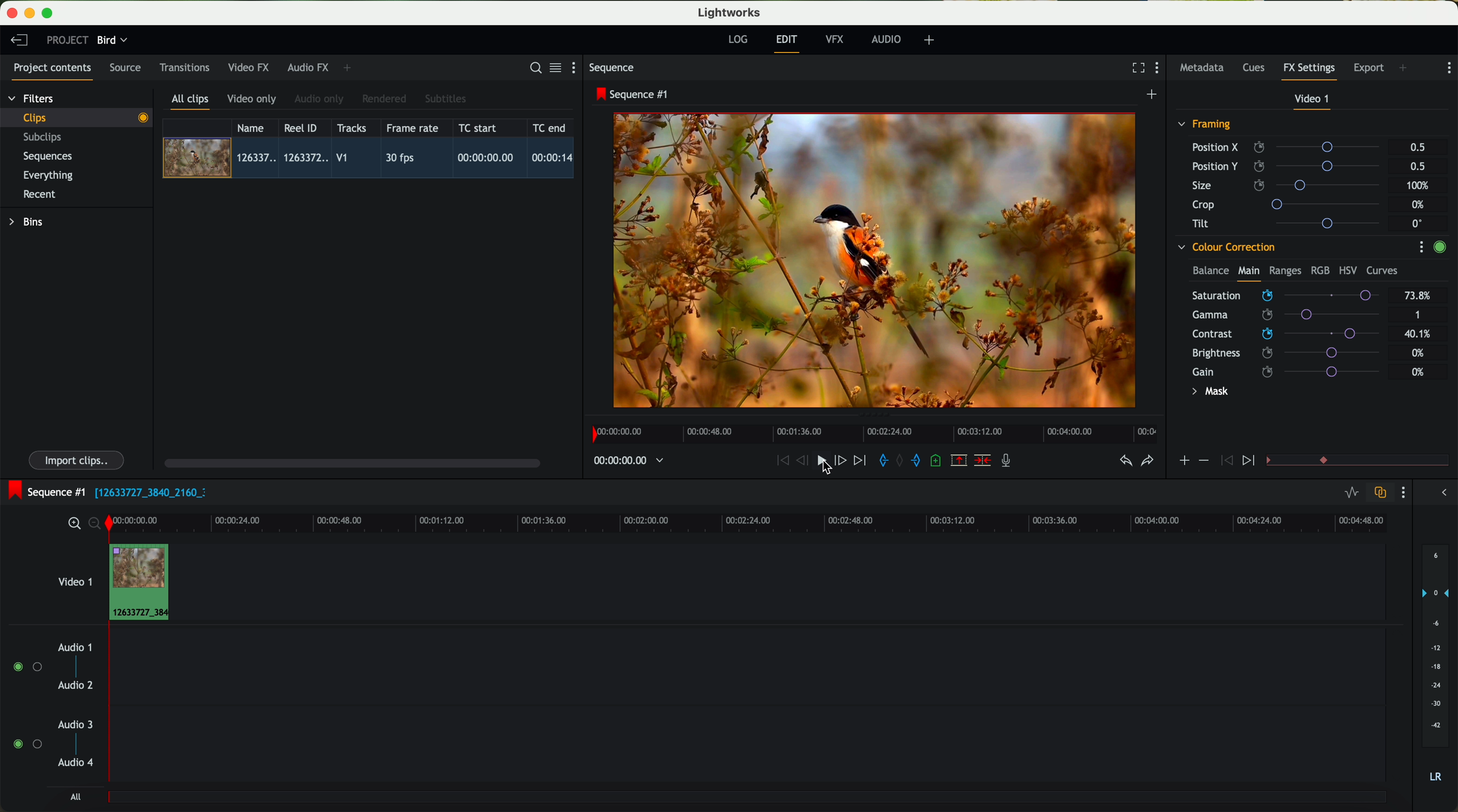 This screenshot has width=1458, height=812. I want to click on scroll bar, so click(351, 462).